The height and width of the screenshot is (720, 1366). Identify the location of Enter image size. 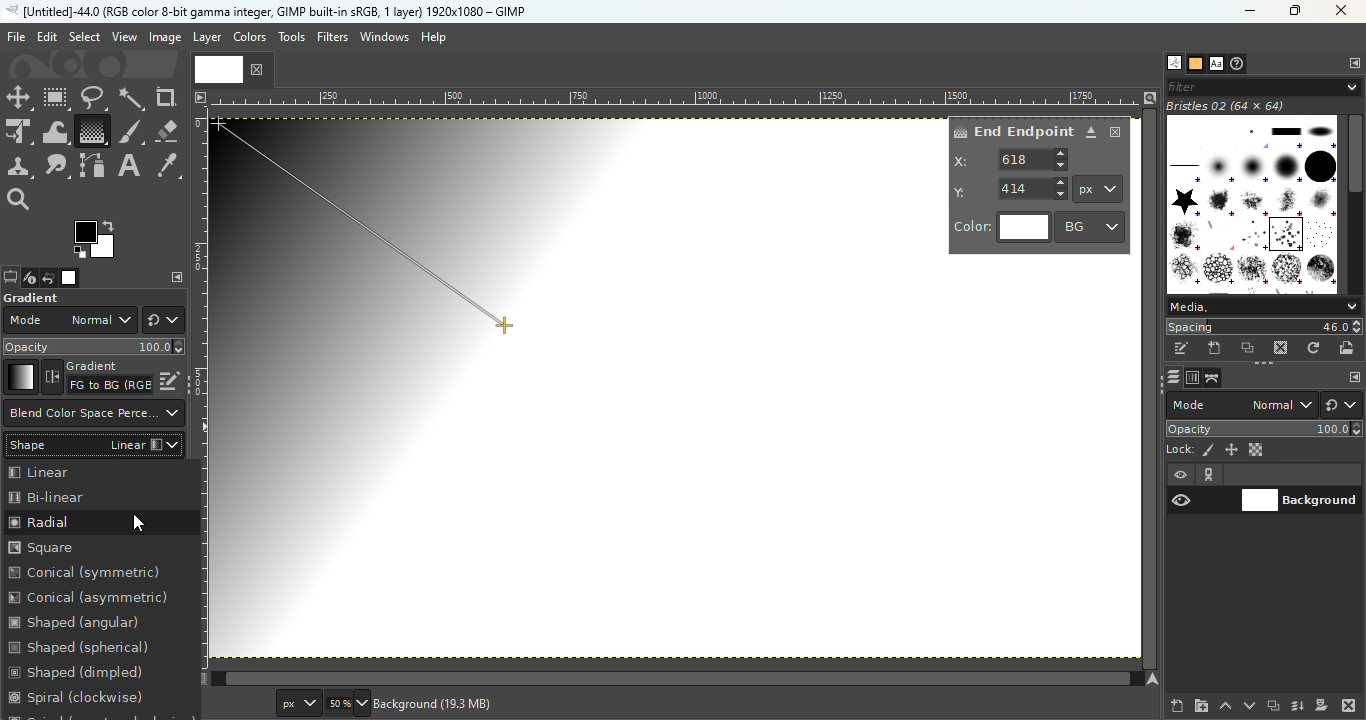
(345, 704).